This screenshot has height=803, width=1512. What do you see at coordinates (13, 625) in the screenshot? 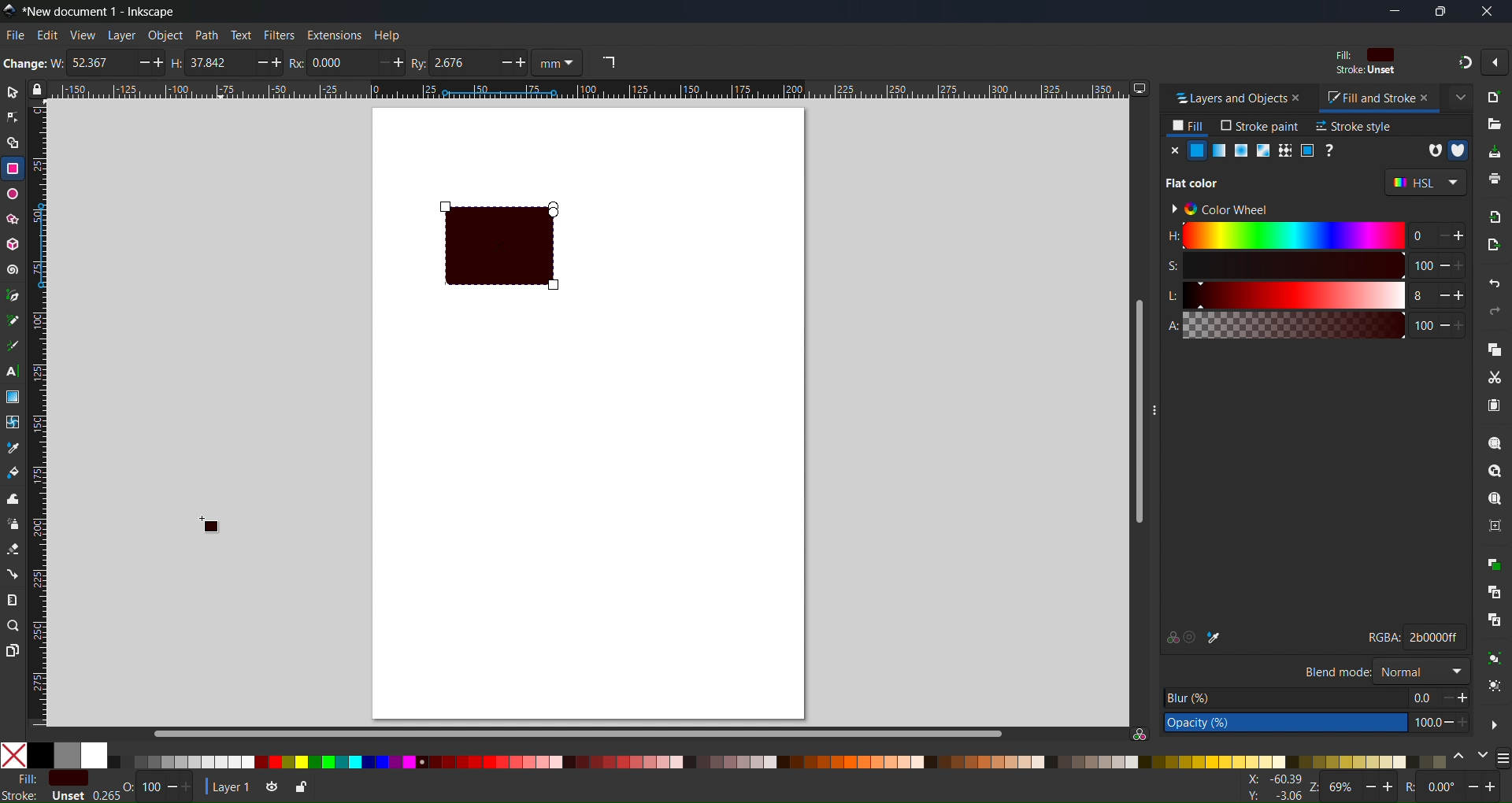
I see `Zoom tool` at bounding box center [13, 625].